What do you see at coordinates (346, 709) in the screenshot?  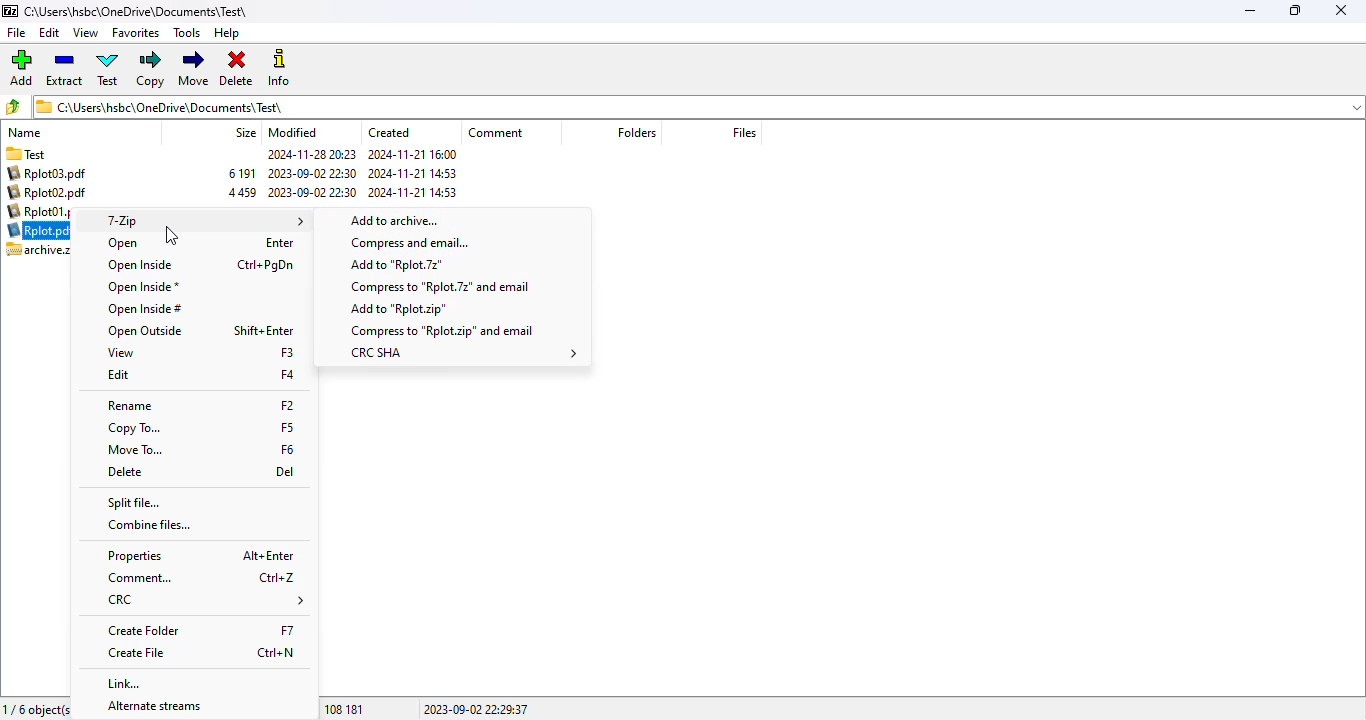 I see `108 181` at bounding box center [346, 709].